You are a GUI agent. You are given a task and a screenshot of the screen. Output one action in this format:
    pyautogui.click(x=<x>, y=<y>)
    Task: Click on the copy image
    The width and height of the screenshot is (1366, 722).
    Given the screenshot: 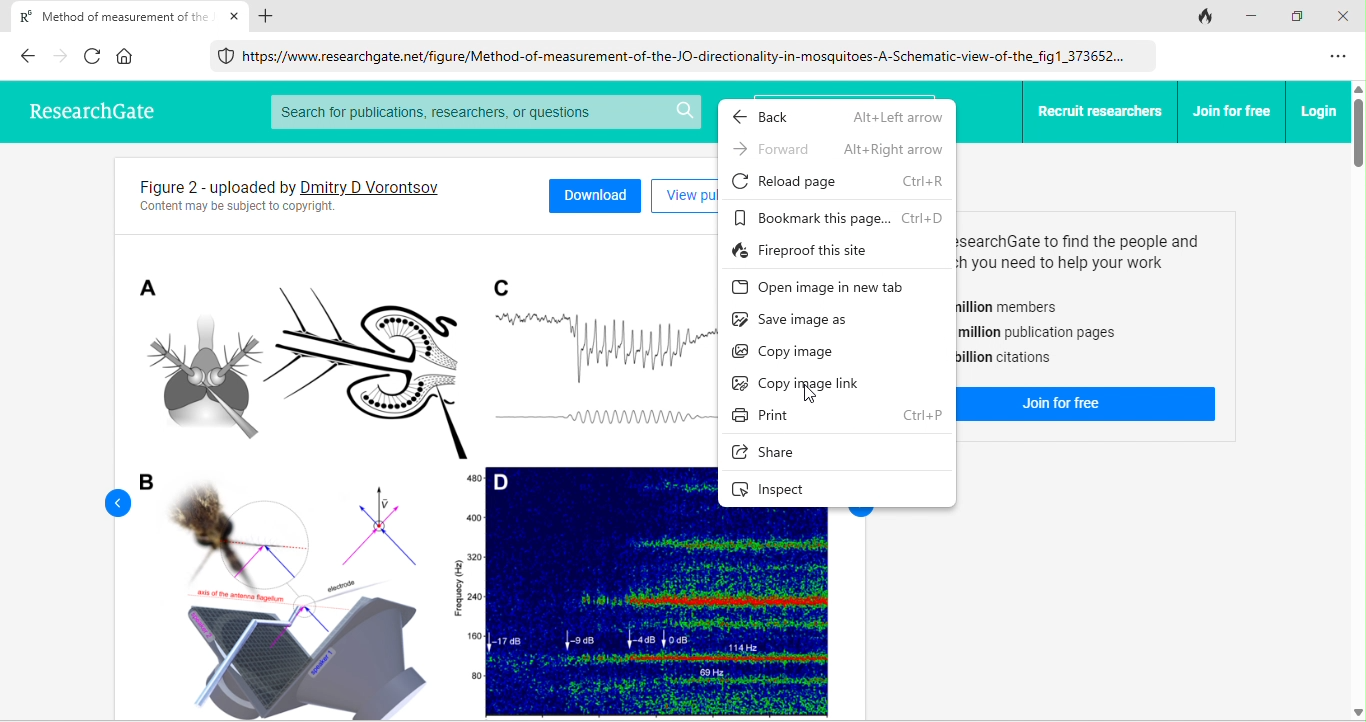 What is the action you would take?
    pyautogui.click(x=794, y=354)
    